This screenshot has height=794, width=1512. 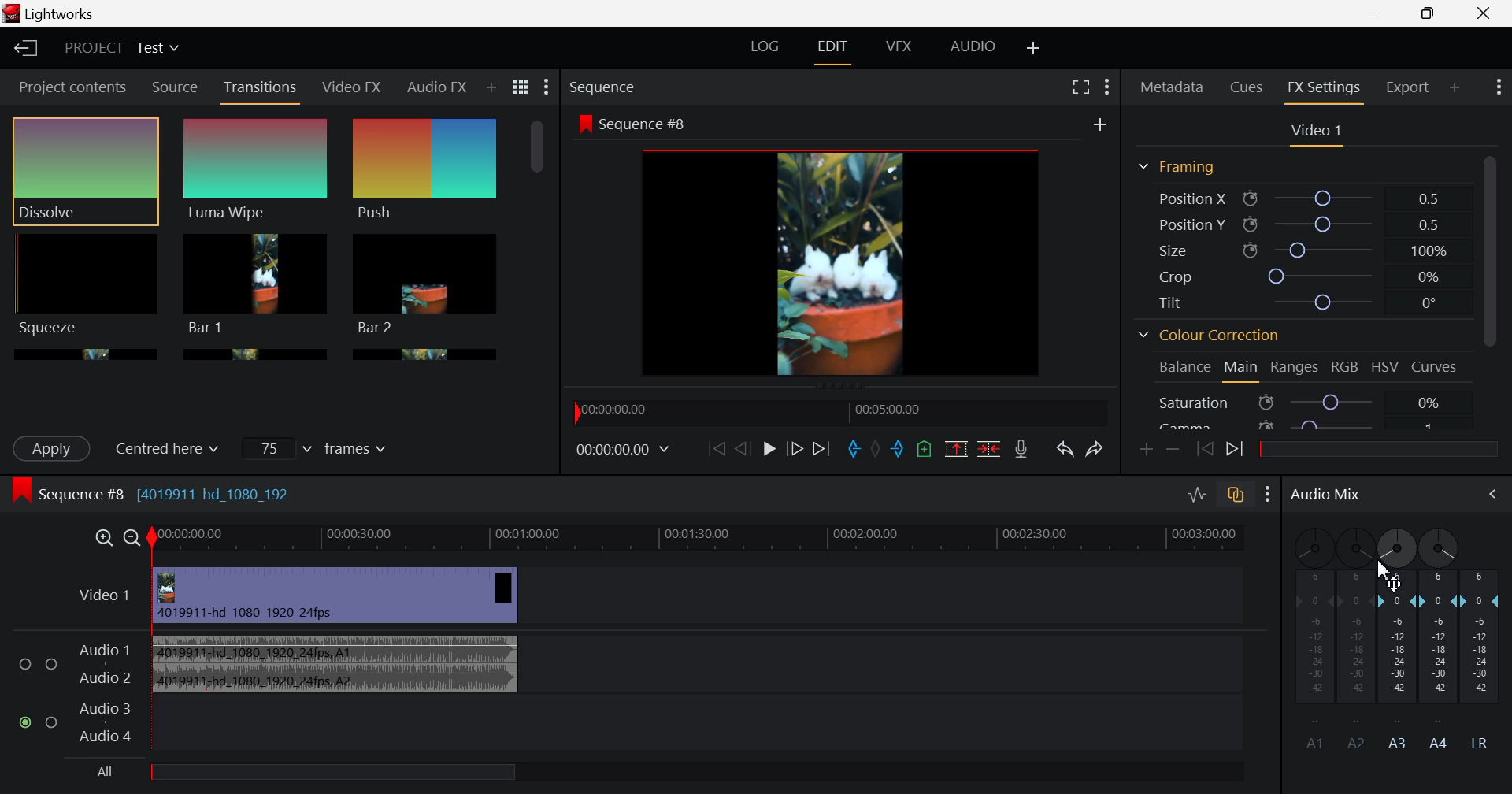 What do you see at coordinates (1305, 425) in the screenshot?
I see `Gamma` at bounding box center [1305, 425].